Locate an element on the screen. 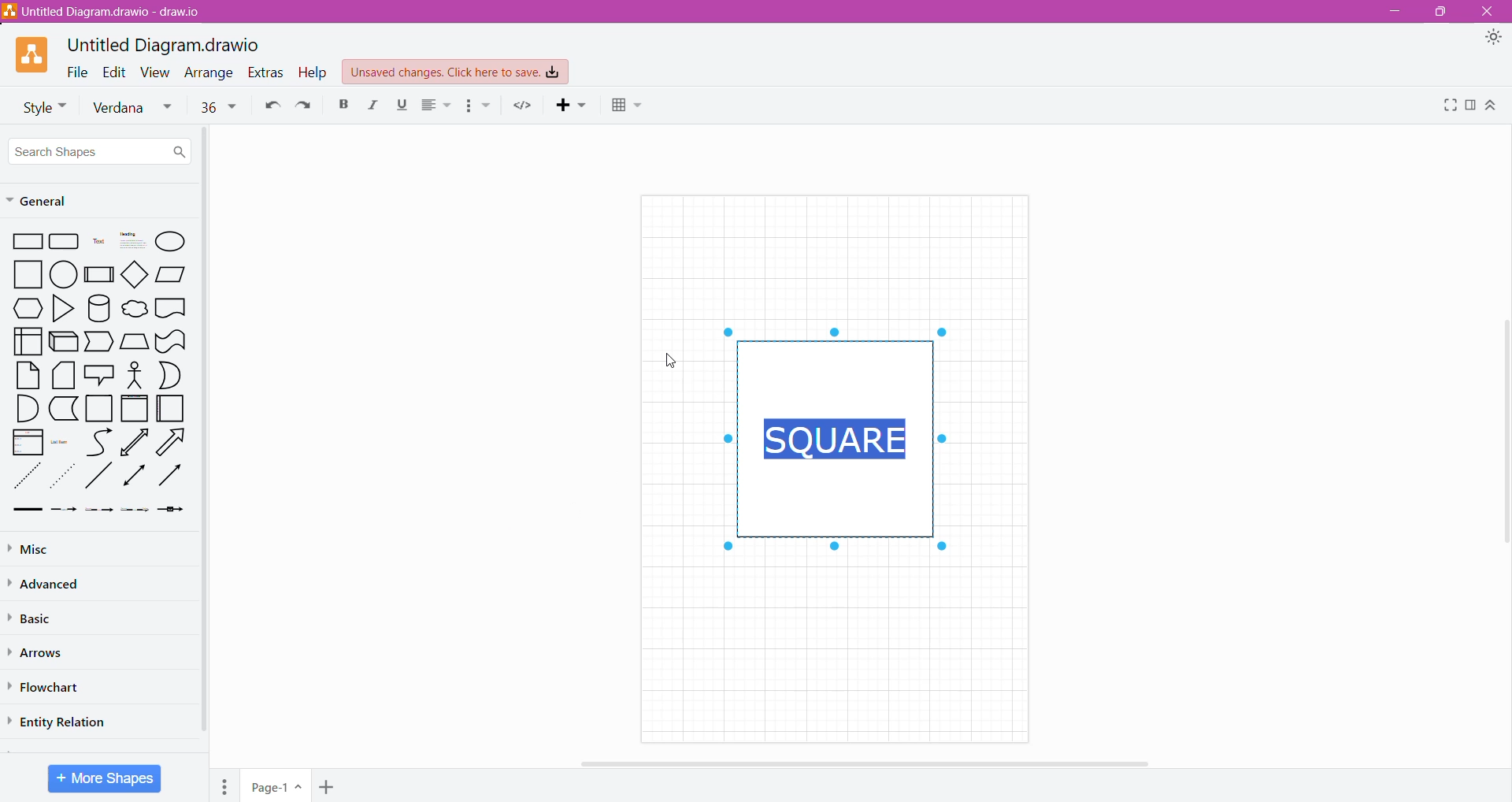 The height and width of the screenshot is (802, 1512). Font Style is located at coordinates (40, 107).